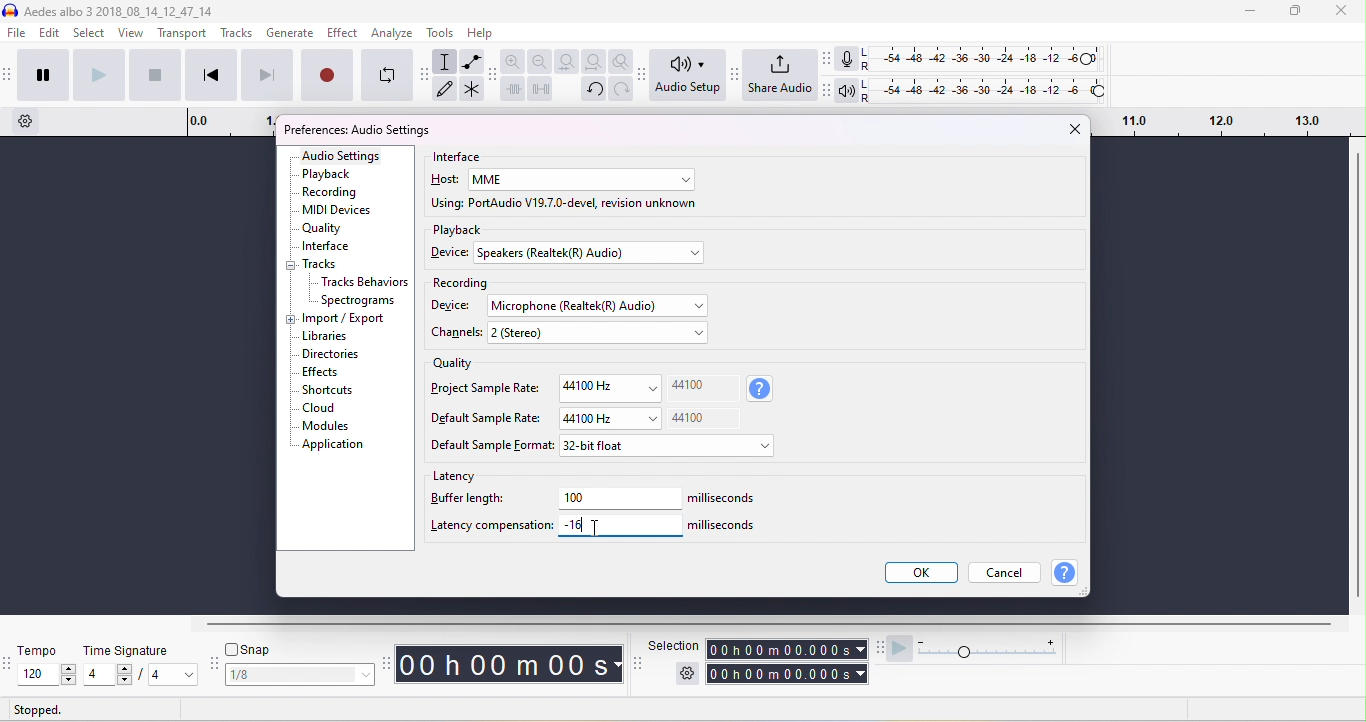  What do you see at coordinates (446, 61) in the screenshot?
I see `selection tool` at bounding box center [446, 61].